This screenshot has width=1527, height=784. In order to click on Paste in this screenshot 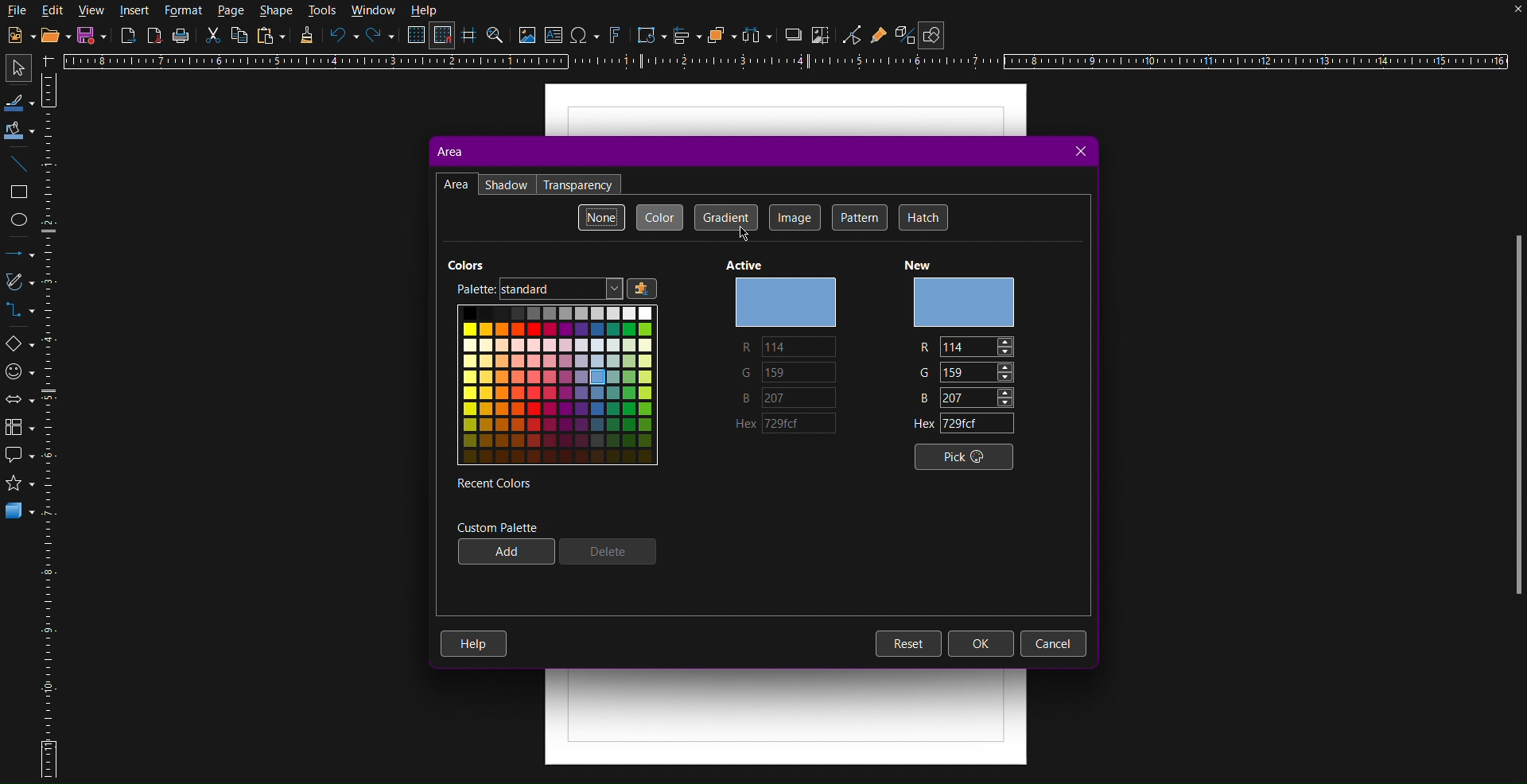, I will do `click(273, 37)`.